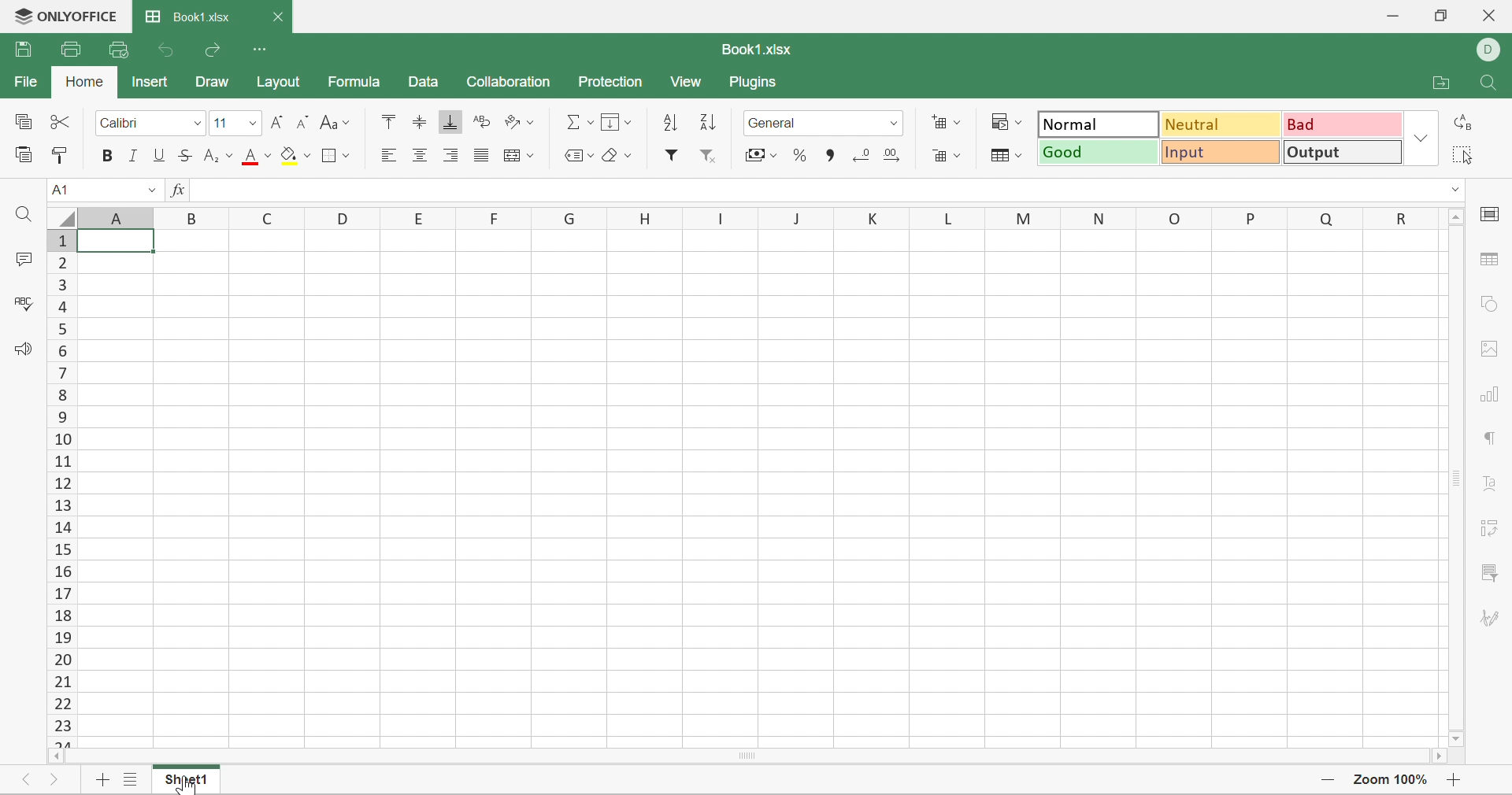 Image resolution: width=1512 pixels, height=795 pixels. Describe the element at coordinates (65, 506) in the screenshot. I see `13` at that location.